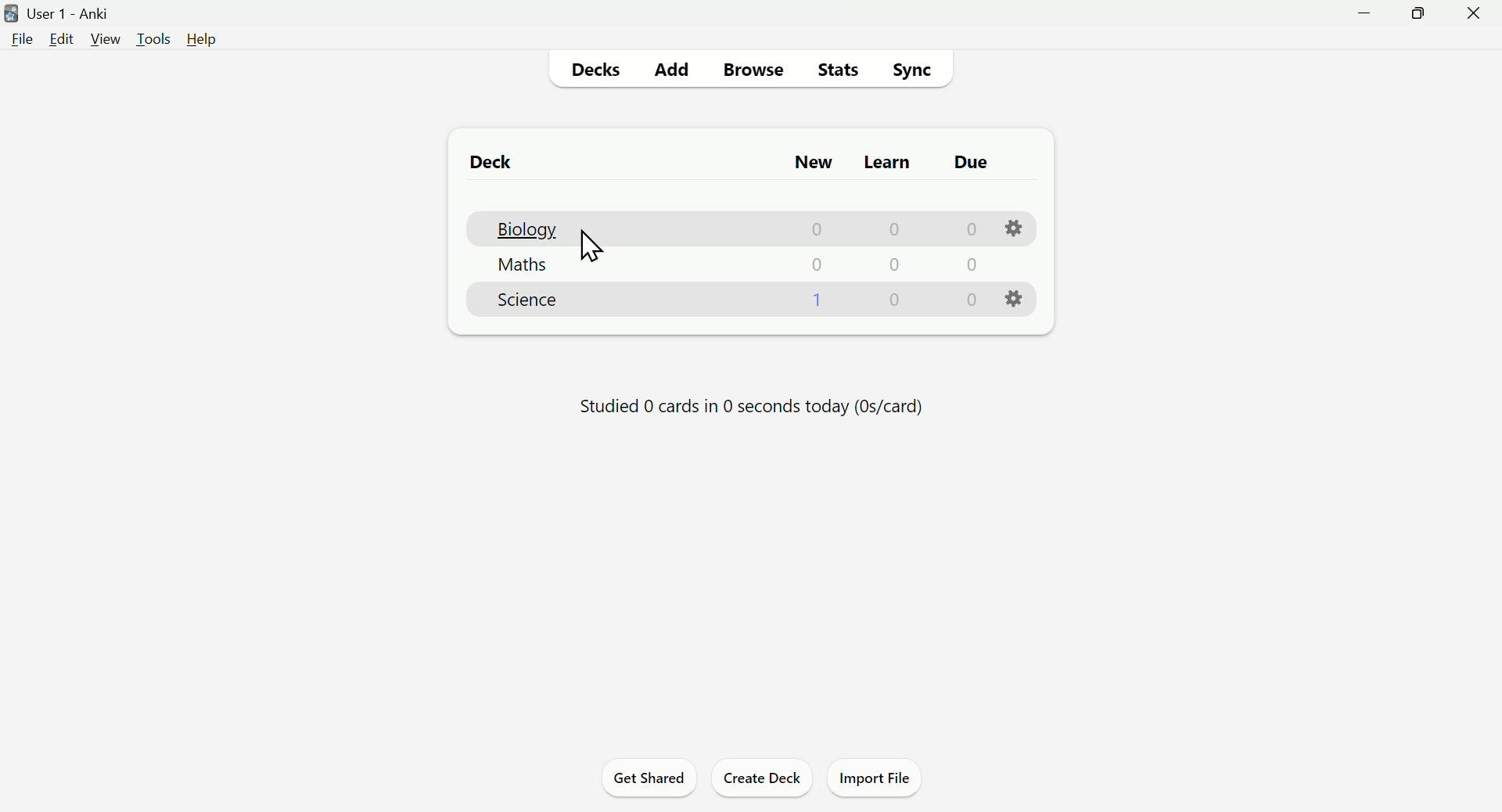  What do you see at coordinates (886, 158) in the screenshot?
I see `Learn` at bounding box center [886, 158].